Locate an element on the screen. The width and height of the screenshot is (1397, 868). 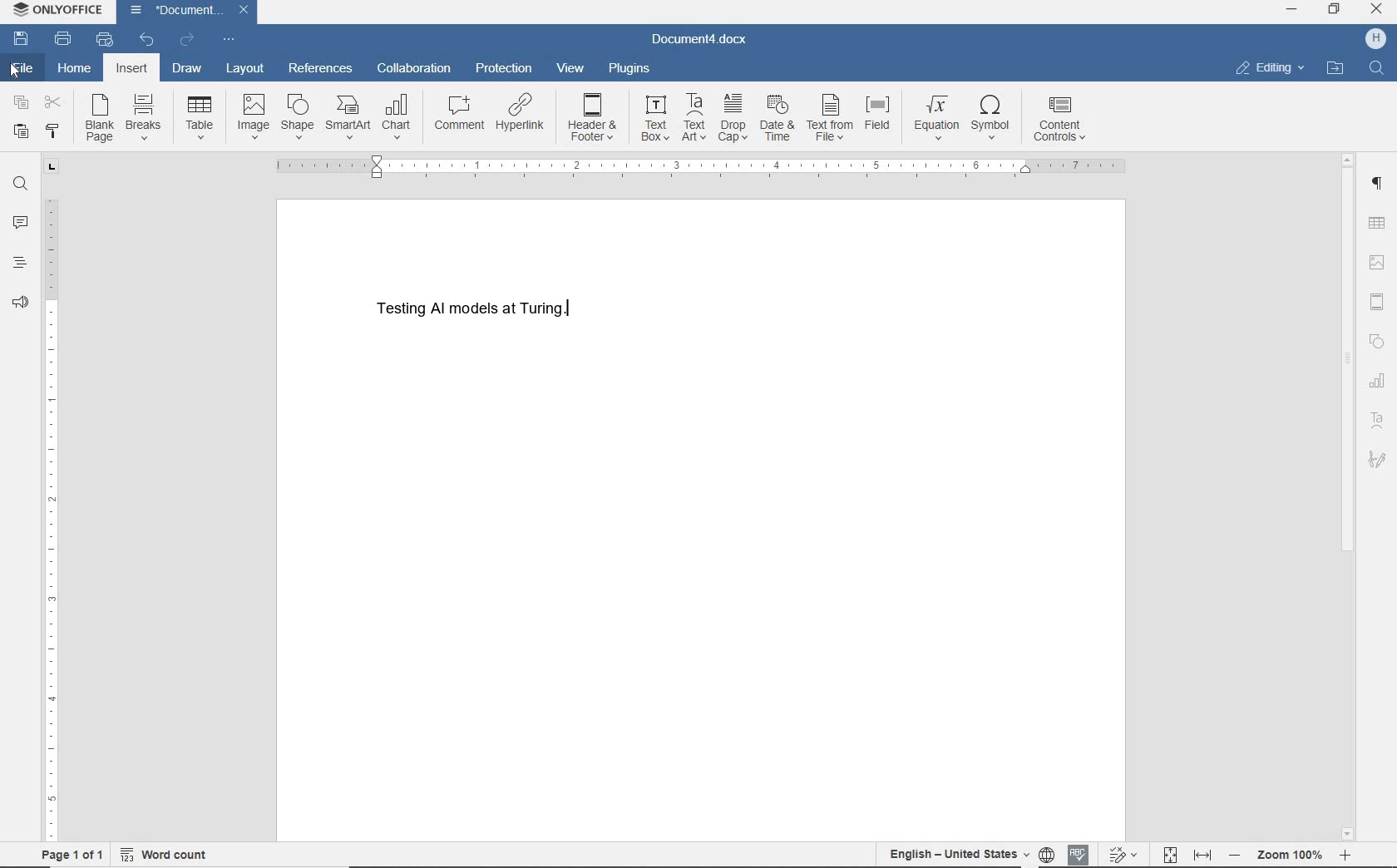
cut is located at coordinates (55, 102).